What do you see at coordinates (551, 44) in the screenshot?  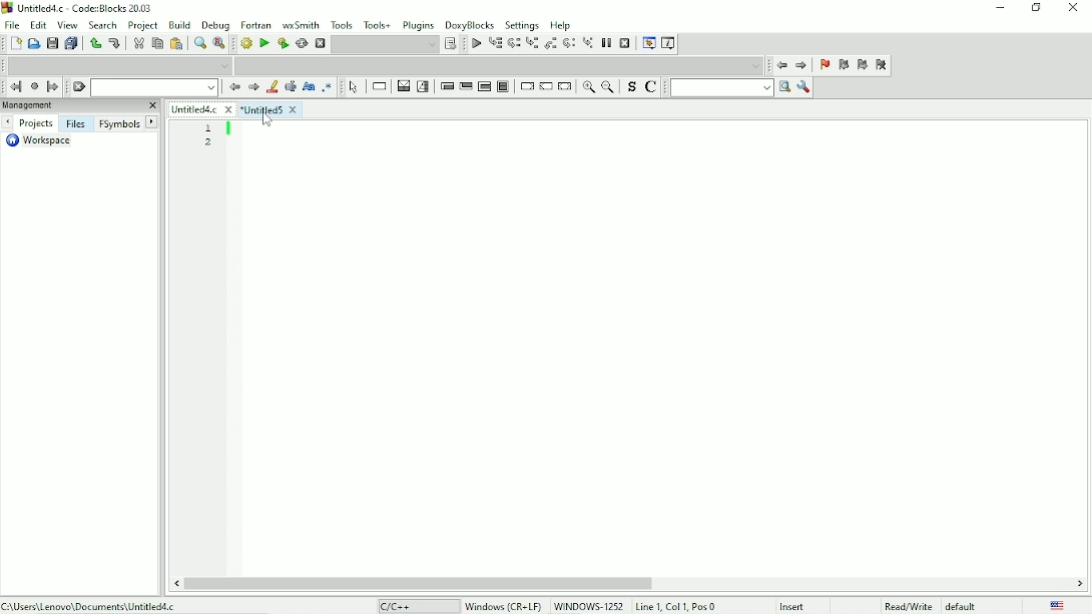 I see `Step out` at bounding box center [551, 44].